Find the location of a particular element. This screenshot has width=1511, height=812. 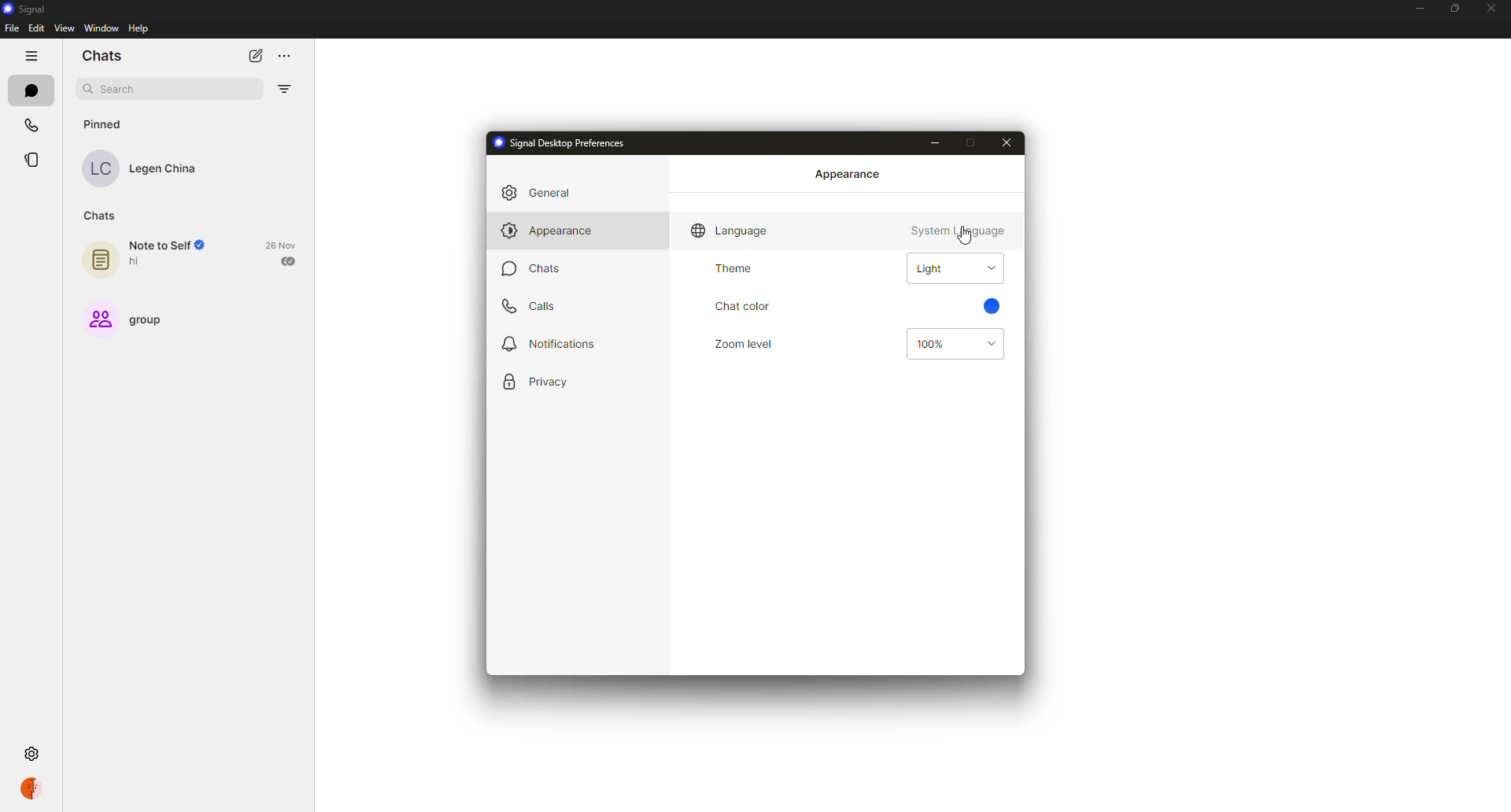

minimize is located at coordinates (933, 142).